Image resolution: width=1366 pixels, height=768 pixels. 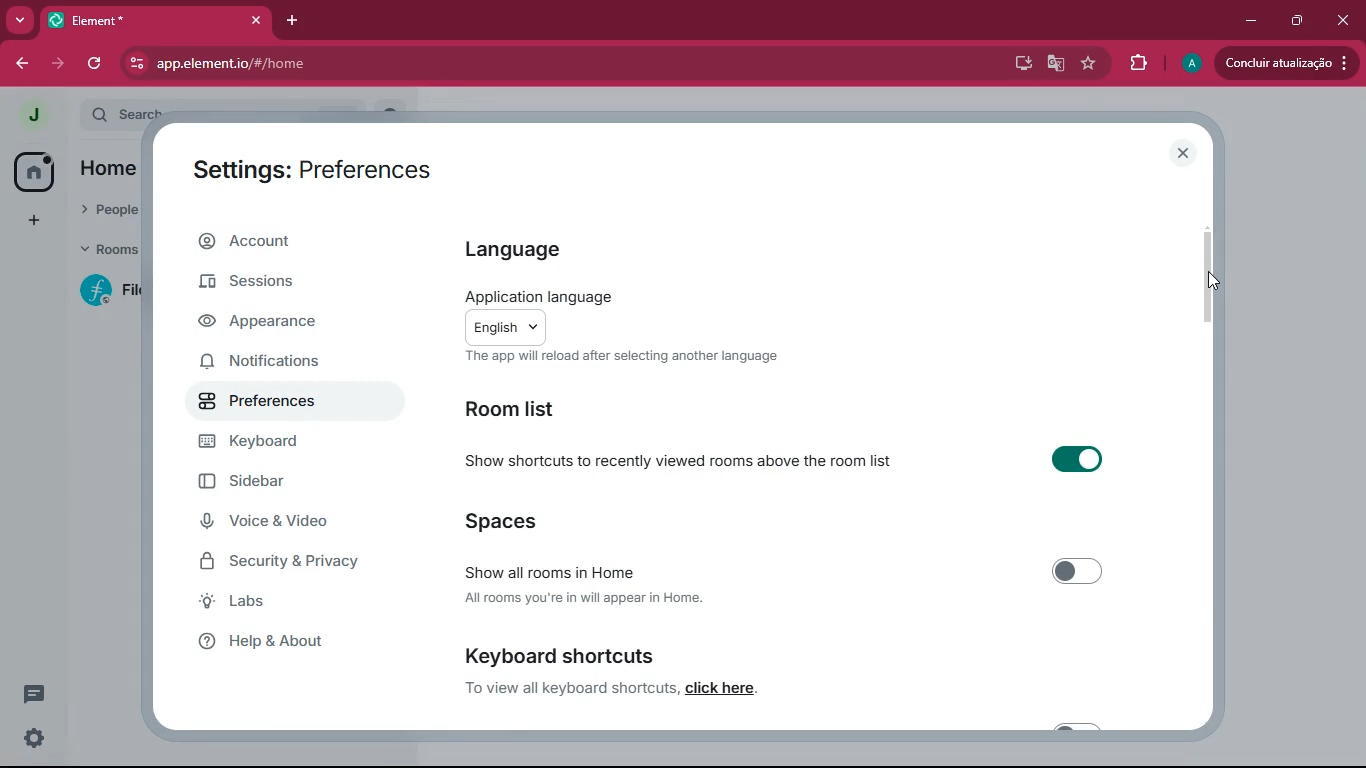 What do you see at coordinates (283, 285) in the screenshot?
I see `sessions` at bounding box center [283, 285].